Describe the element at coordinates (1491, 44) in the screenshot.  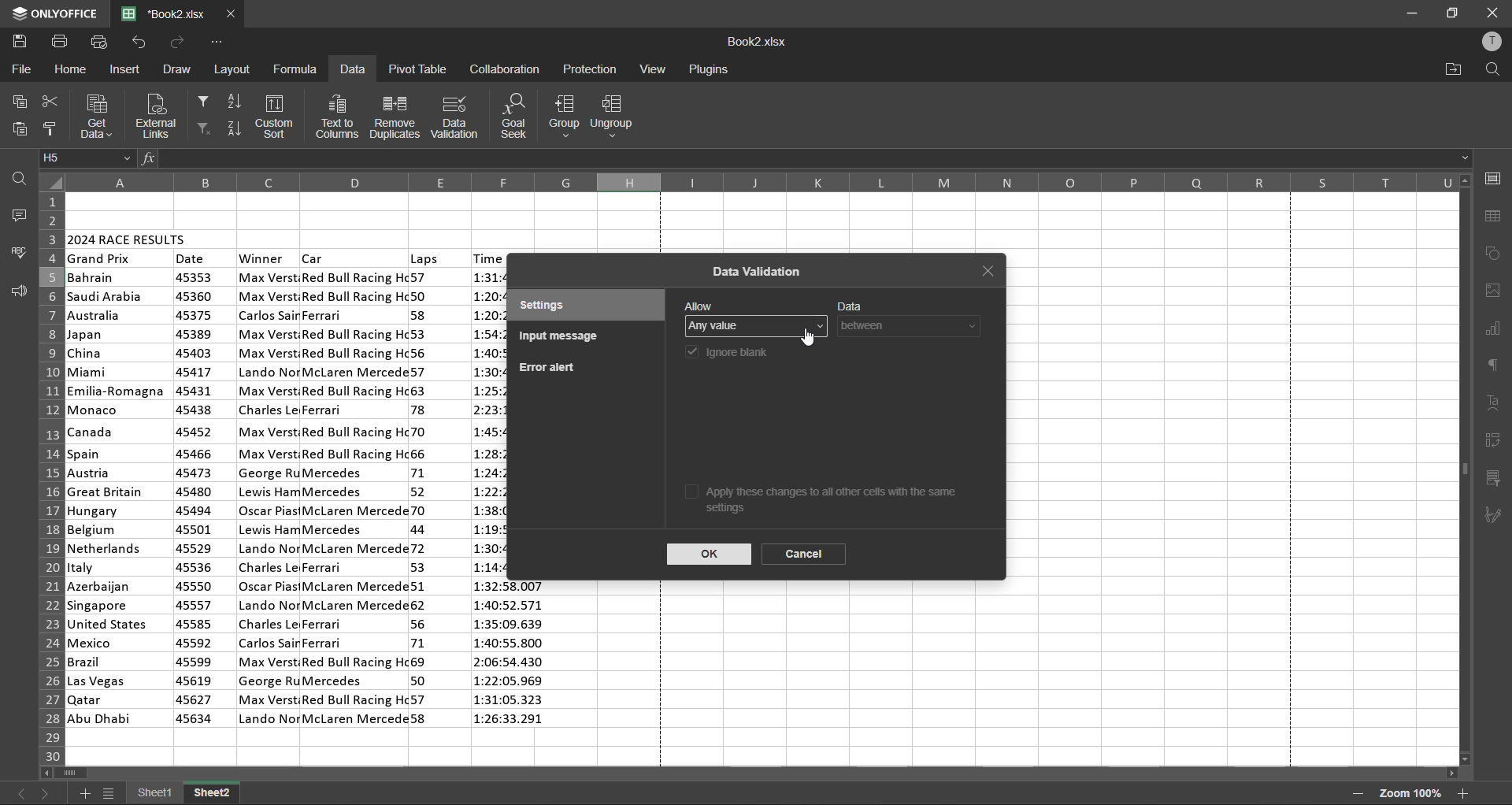
I see `profile` at that location.